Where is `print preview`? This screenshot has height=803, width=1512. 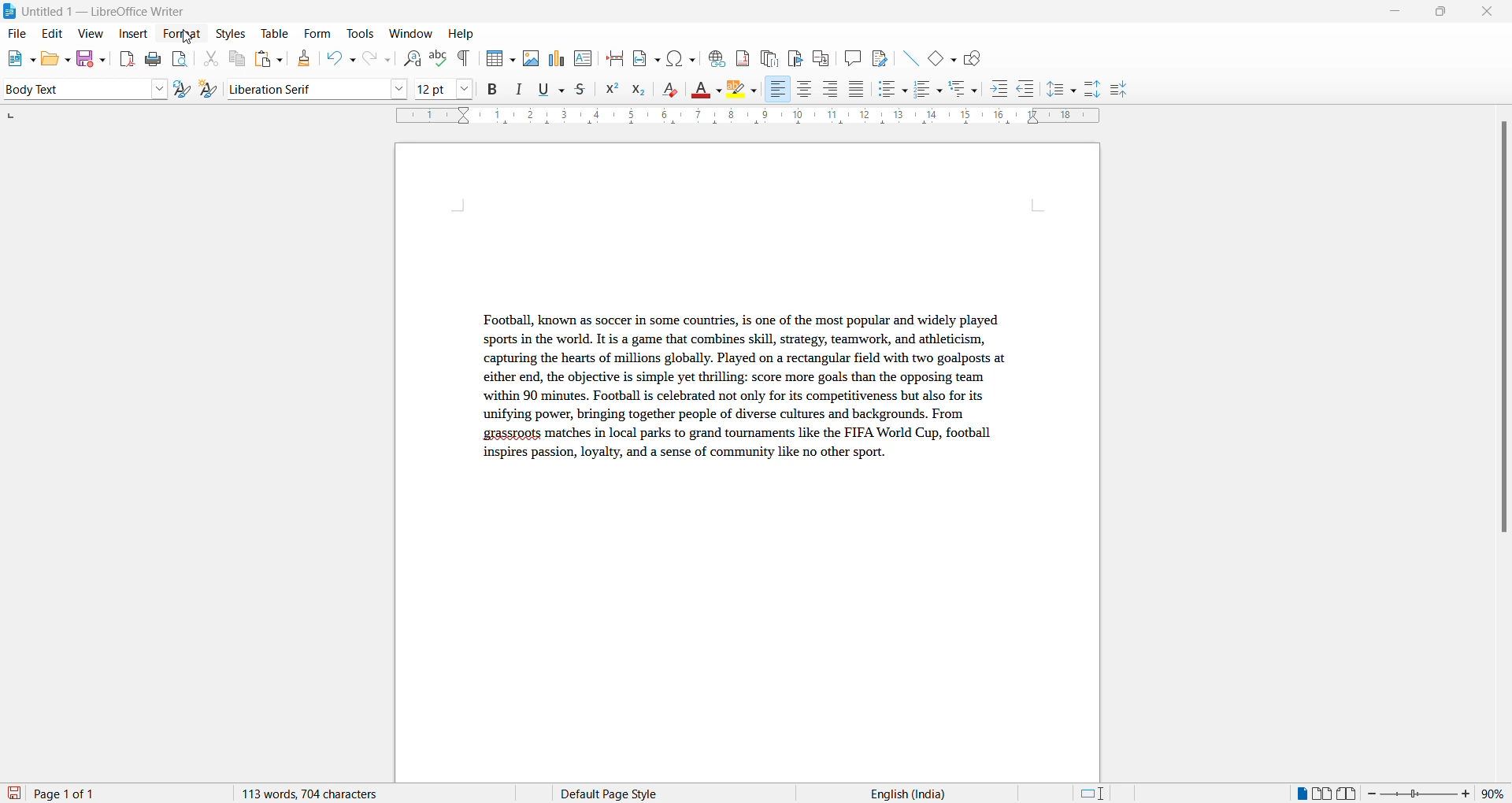 print preview is located at coordinates (180, 58).